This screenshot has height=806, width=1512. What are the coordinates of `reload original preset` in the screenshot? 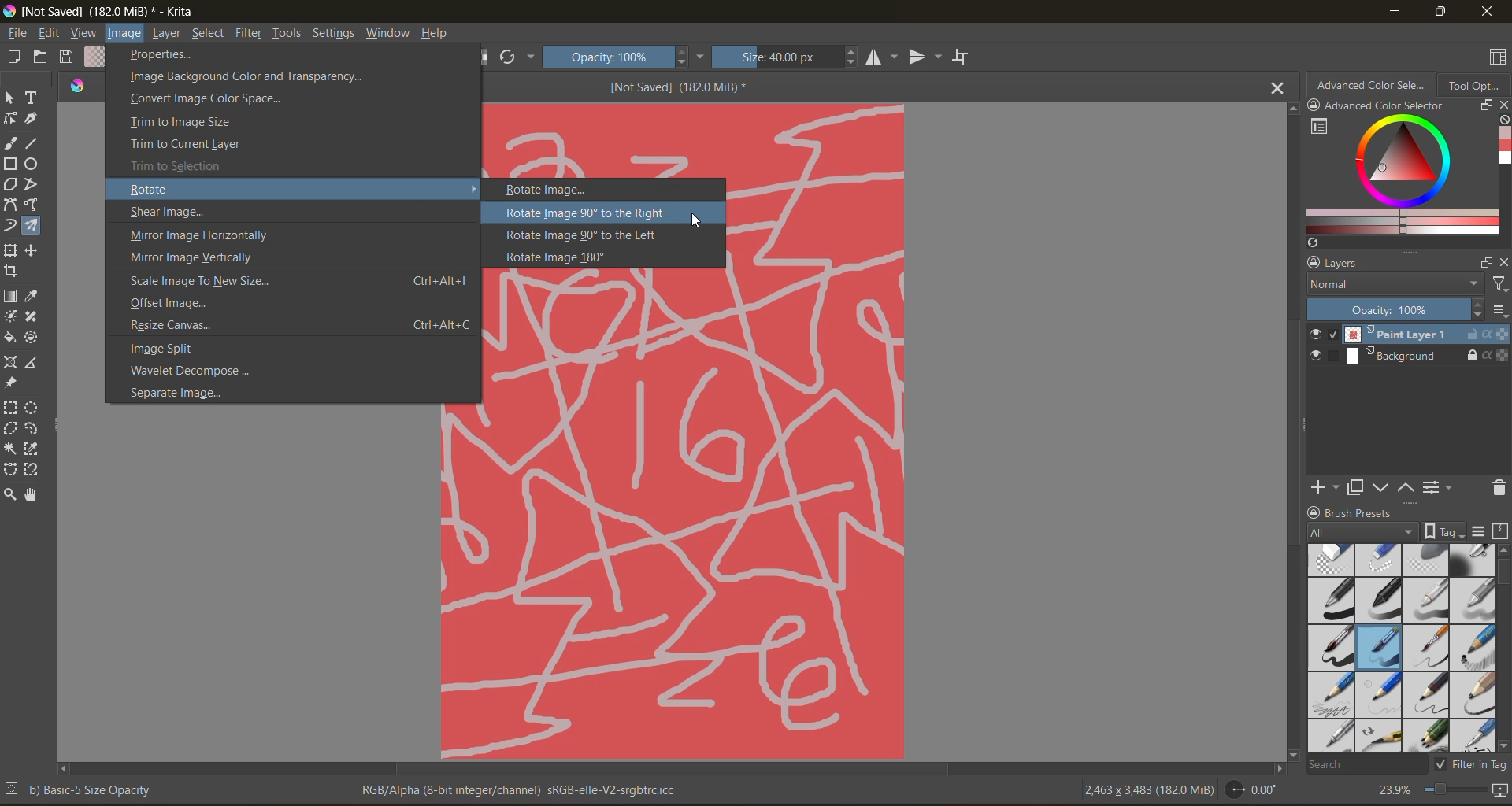 It's located at (511, 54).